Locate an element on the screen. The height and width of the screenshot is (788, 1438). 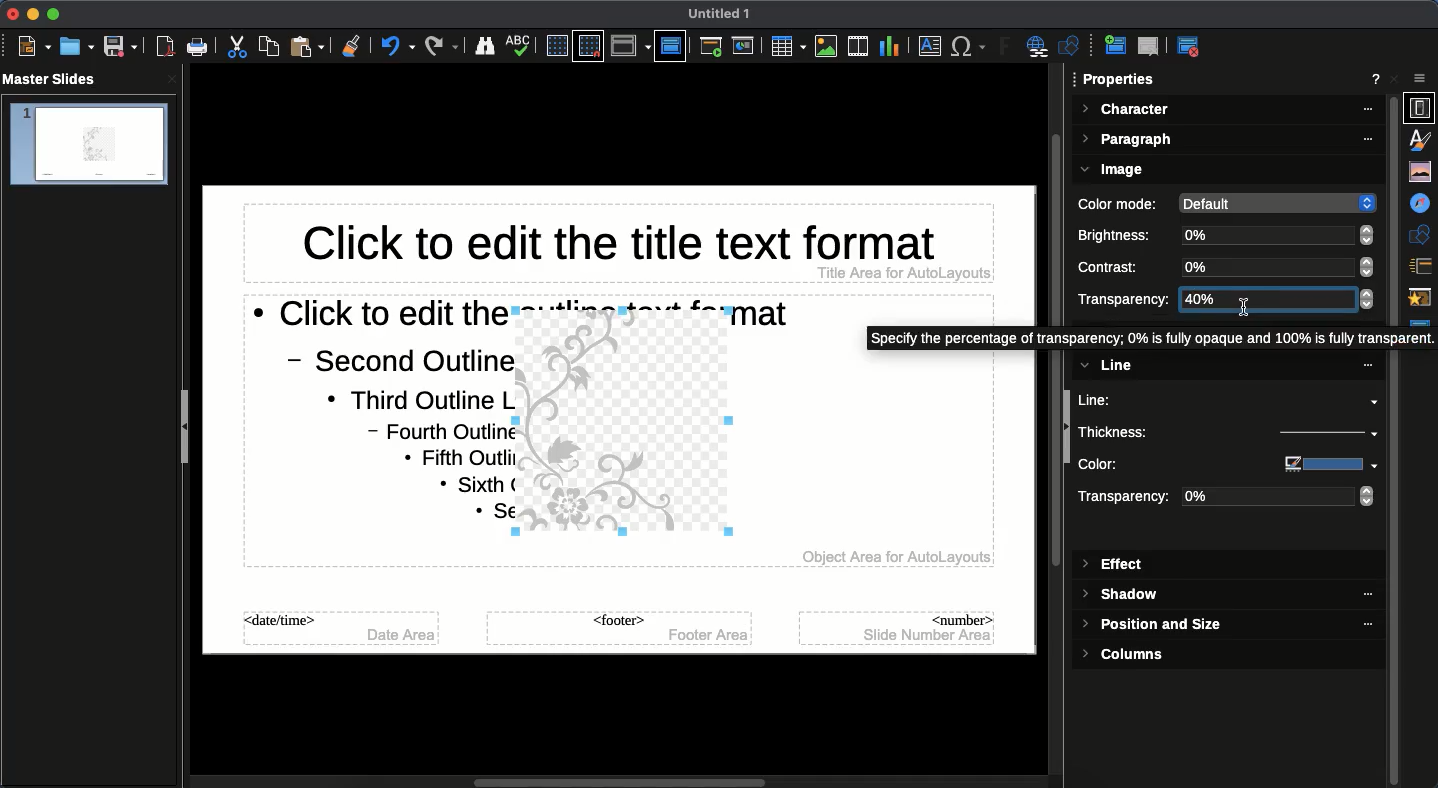
Effect is located at coordinates (1115, 565).